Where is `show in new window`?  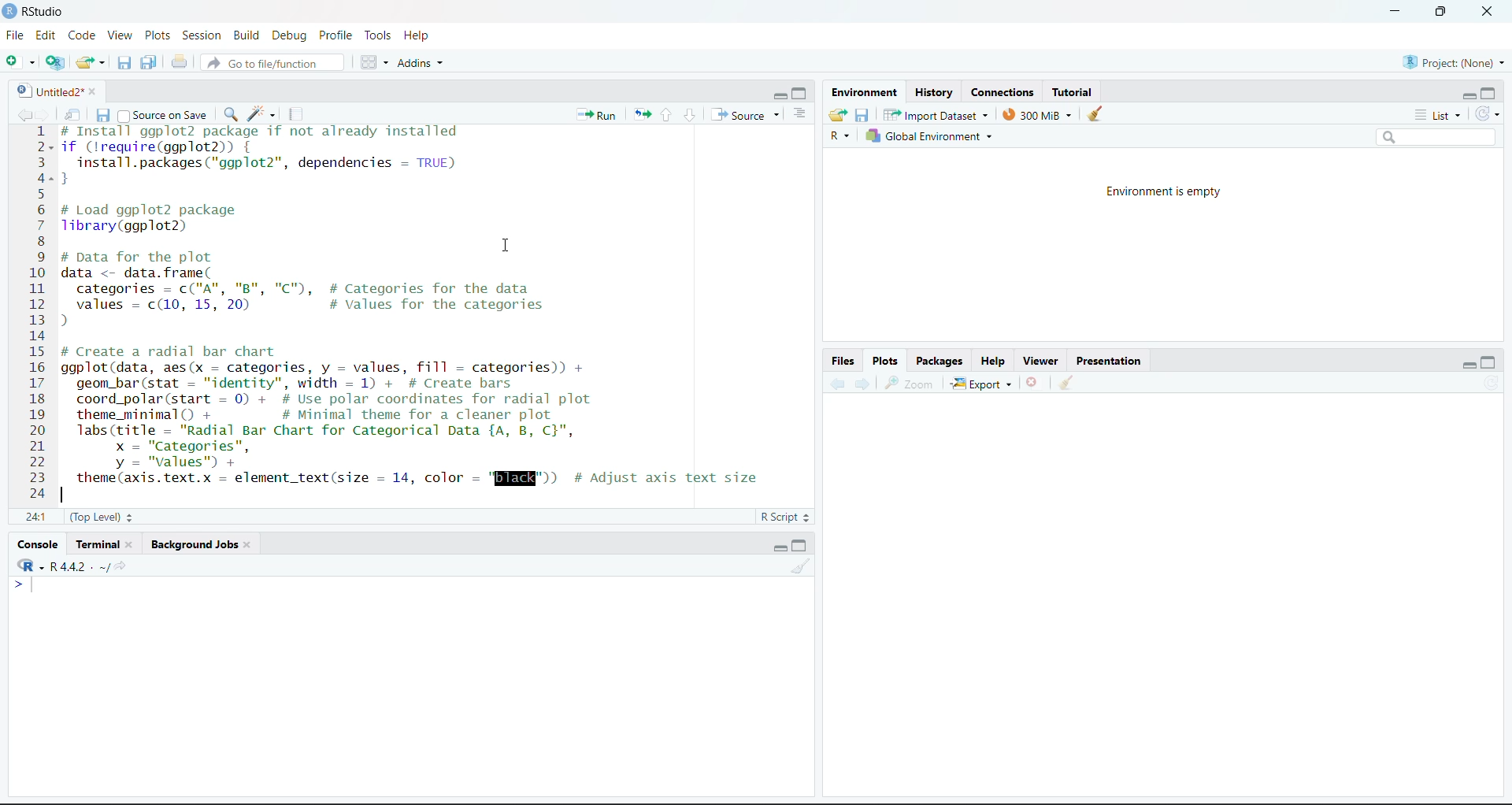
show in new window is located at coordinates (75, 113).